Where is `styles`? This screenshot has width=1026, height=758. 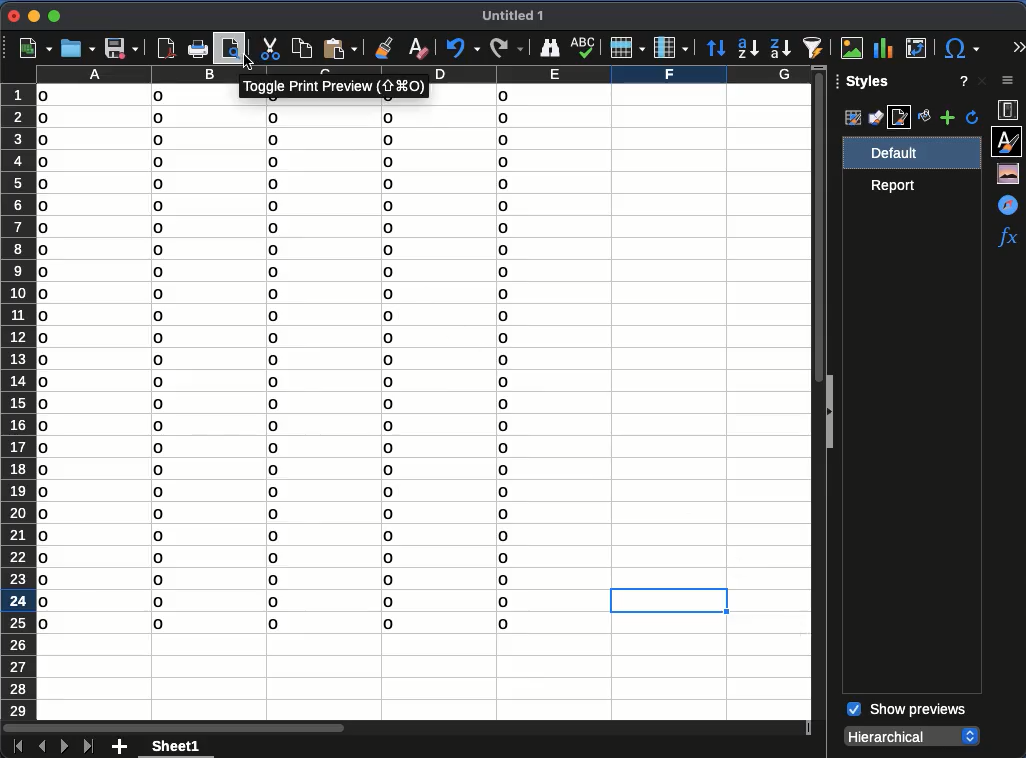 styles is located at coordinates (865, 84).